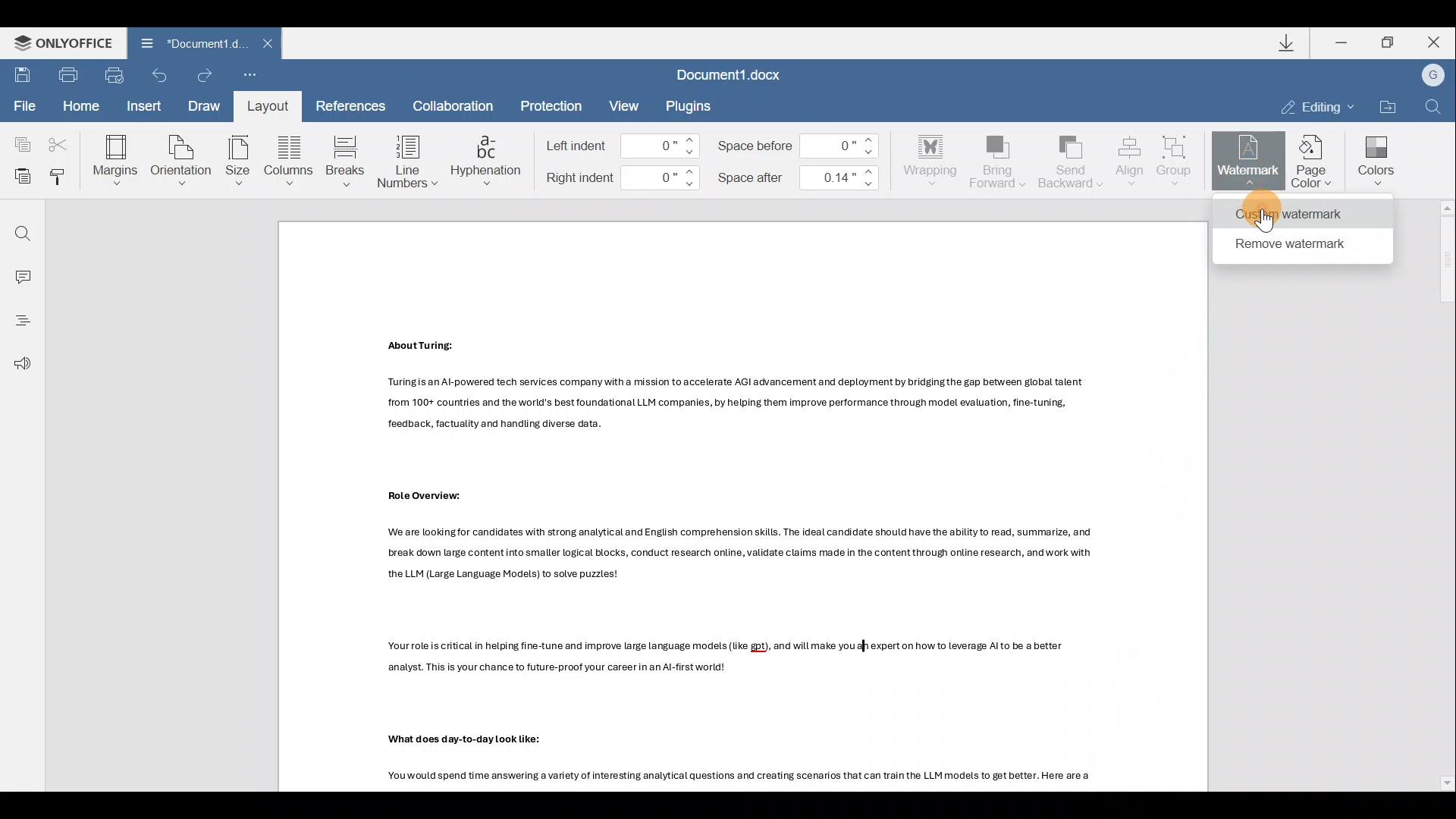 The height and width of the screenshot is (819, 1456). What do you see at coordinates (58, 142) in the screenshot?
I see `Cut` at bounding box center [58, 142].